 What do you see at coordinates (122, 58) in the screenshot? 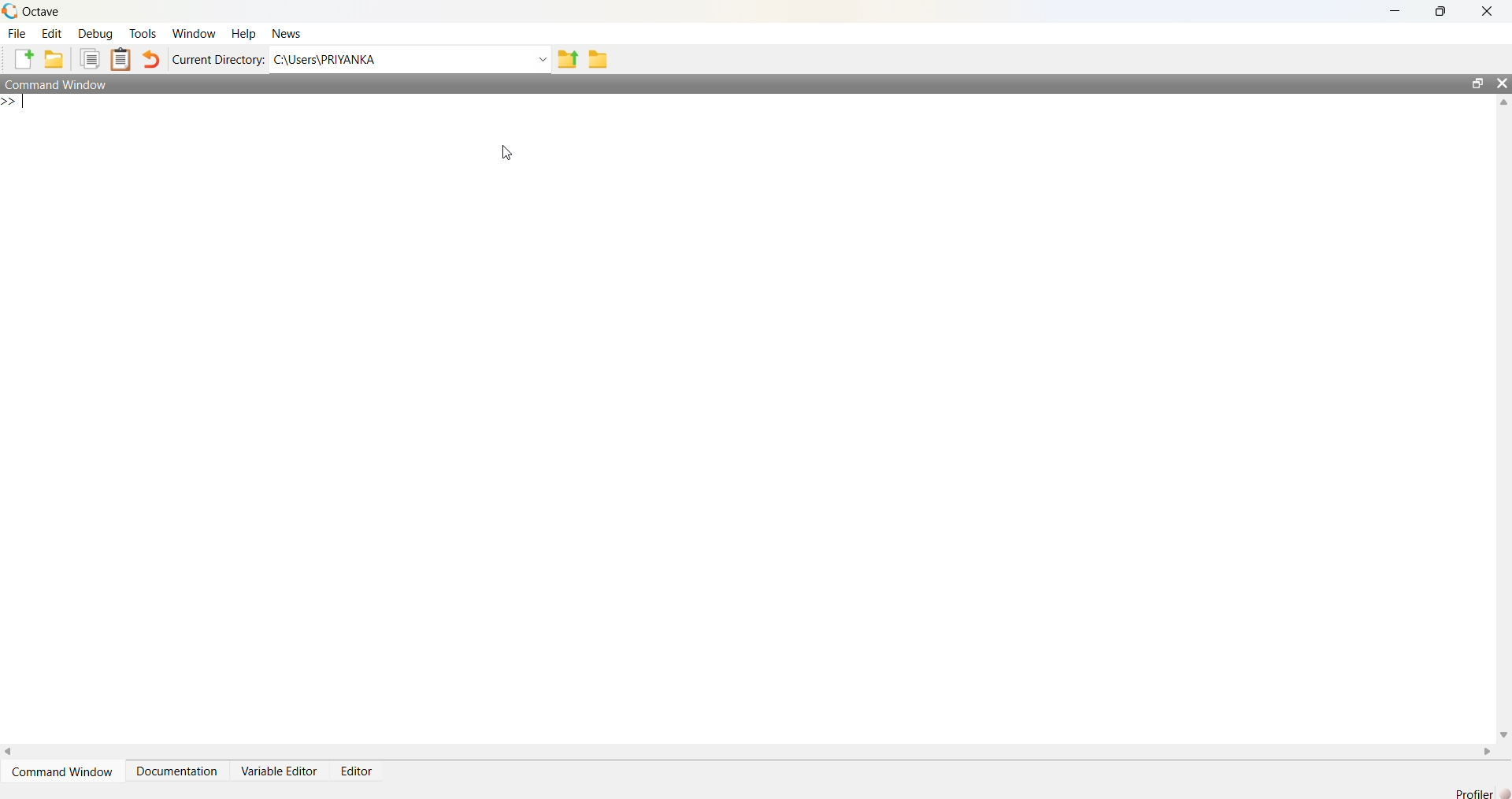
I see `Paste` at bounding box center [122, 58].